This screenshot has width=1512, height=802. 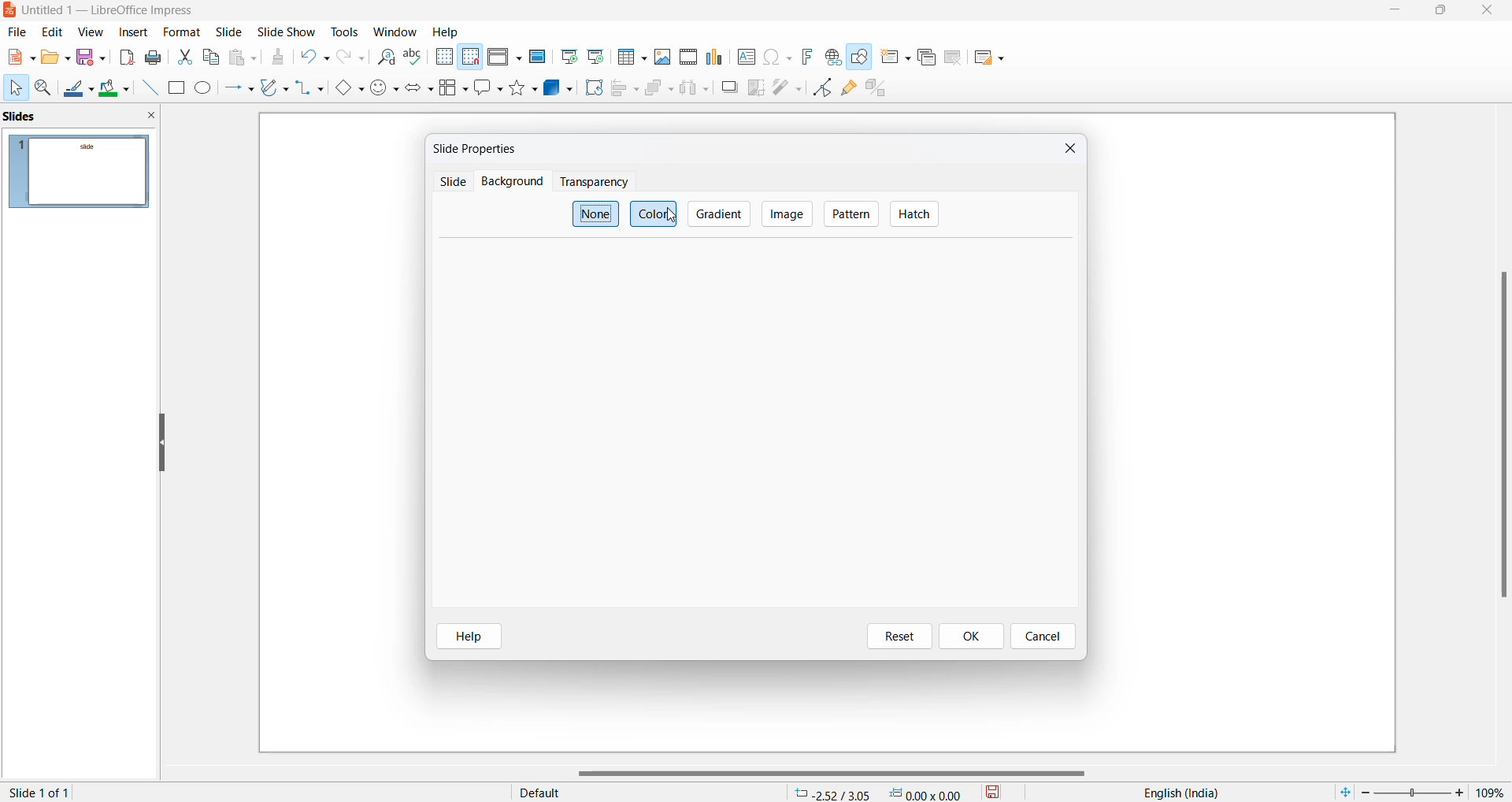 I want to click on master slide, so click(x=537, y=56).